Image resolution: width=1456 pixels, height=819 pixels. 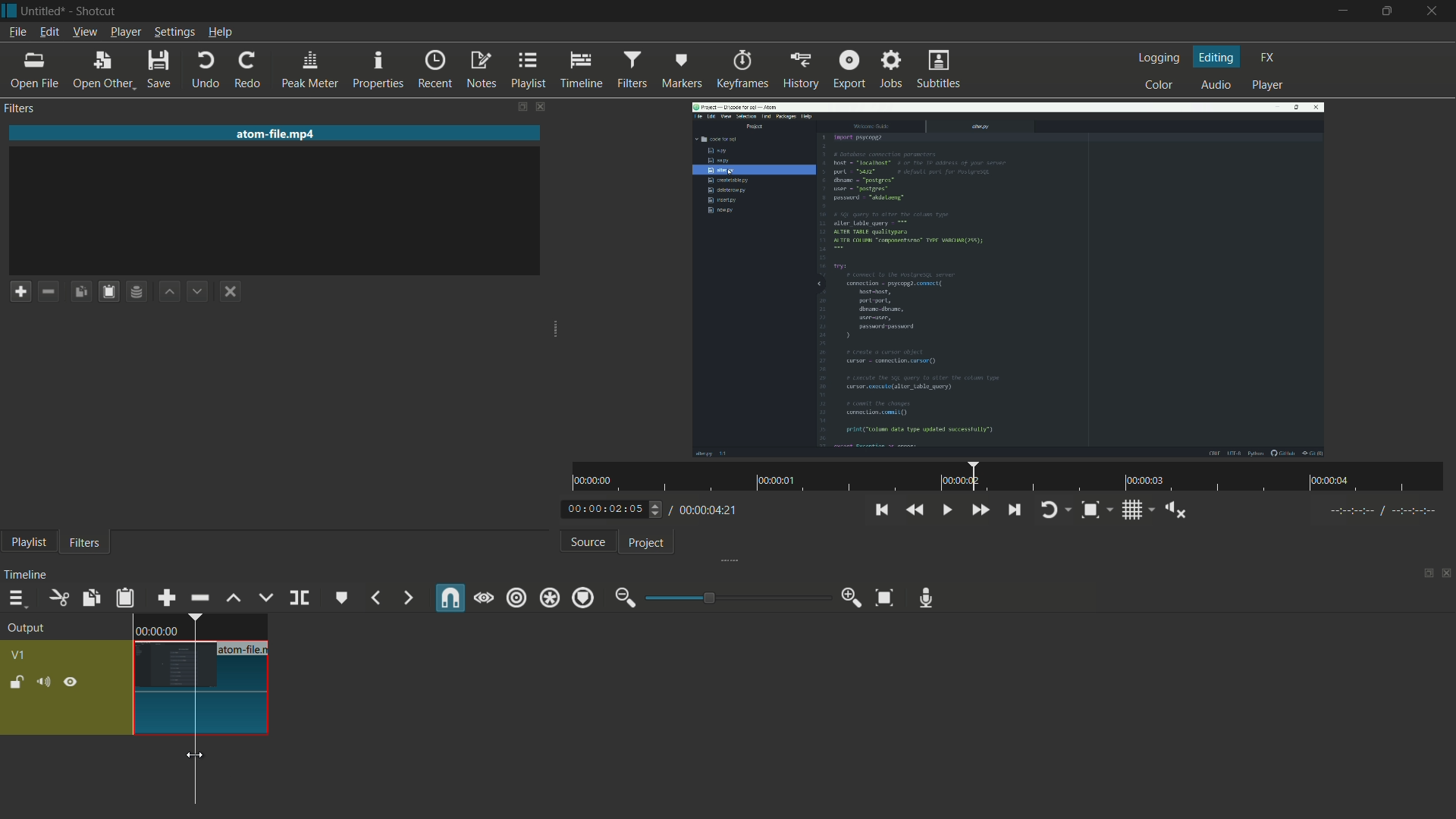 What do you see at coordinates (107, 292) in the screenshot?
I see `paste filters` at bounding box center [107, 292].